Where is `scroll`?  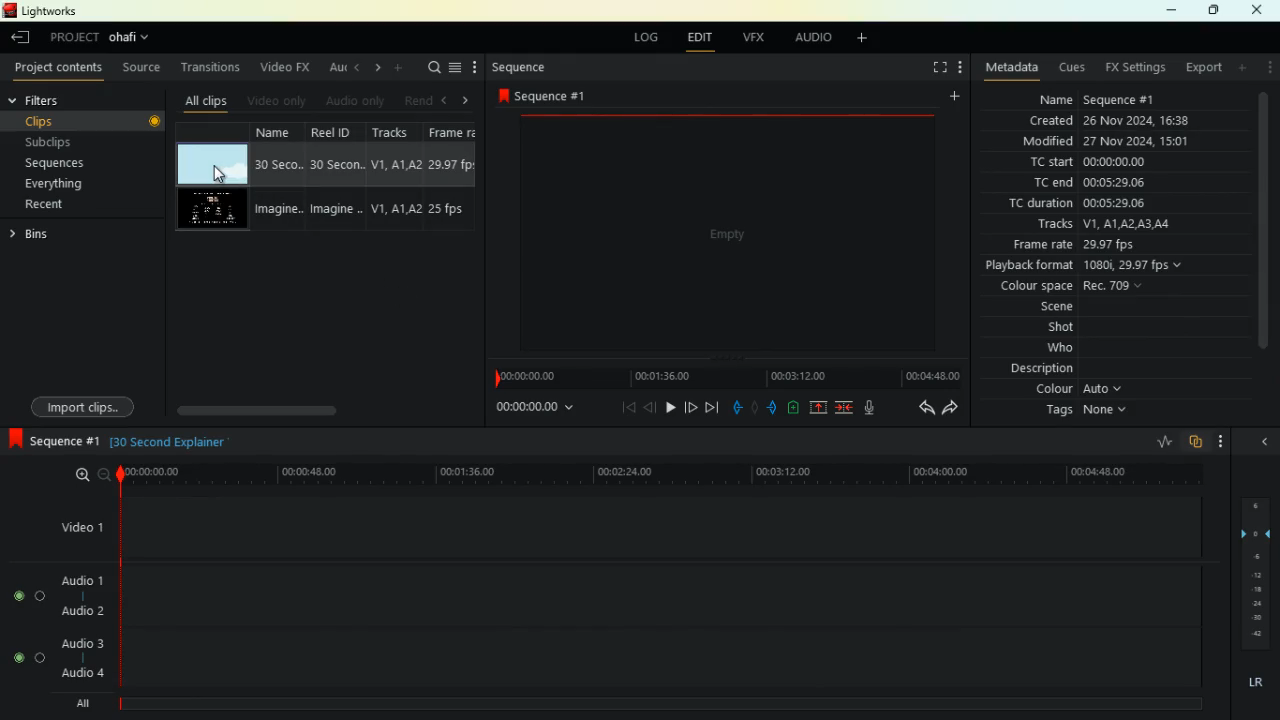 scroll is located at coordinates (281, 408).